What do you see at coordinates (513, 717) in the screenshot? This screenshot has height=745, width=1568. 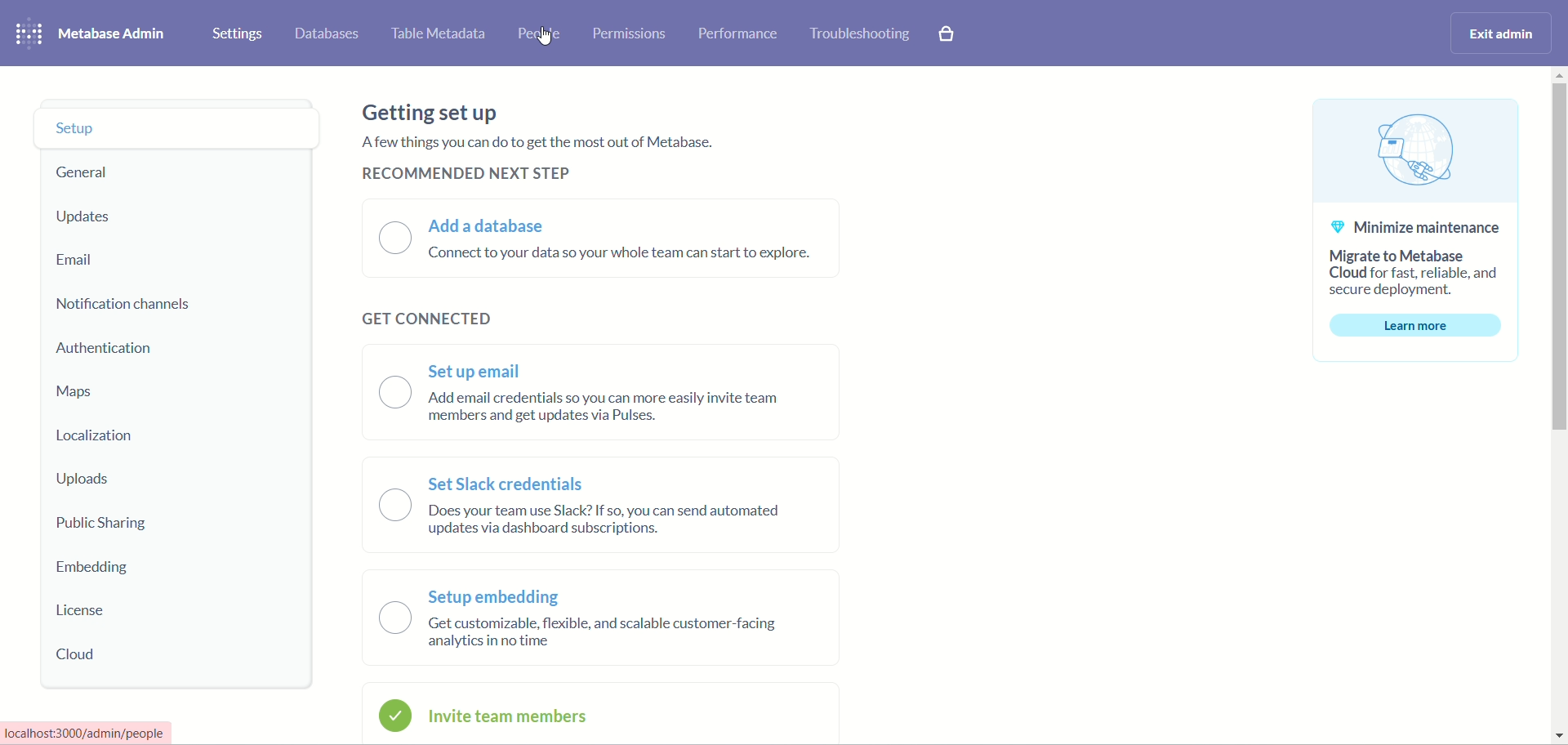 I see `invite team members` at bounding box center [513, 717].